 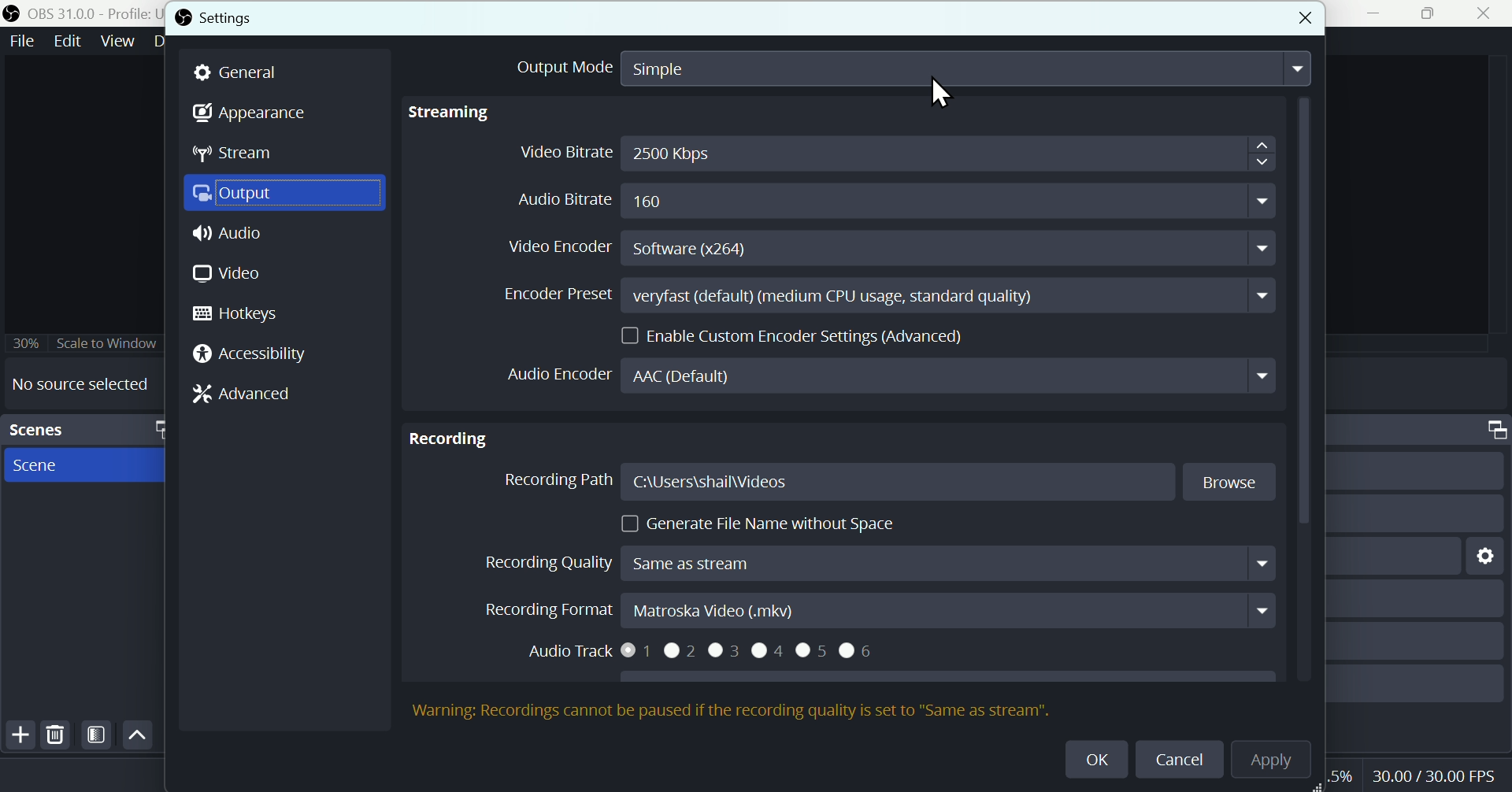 I want to click on Enable custom encoder setting advanced, so click(x=796, y=335).